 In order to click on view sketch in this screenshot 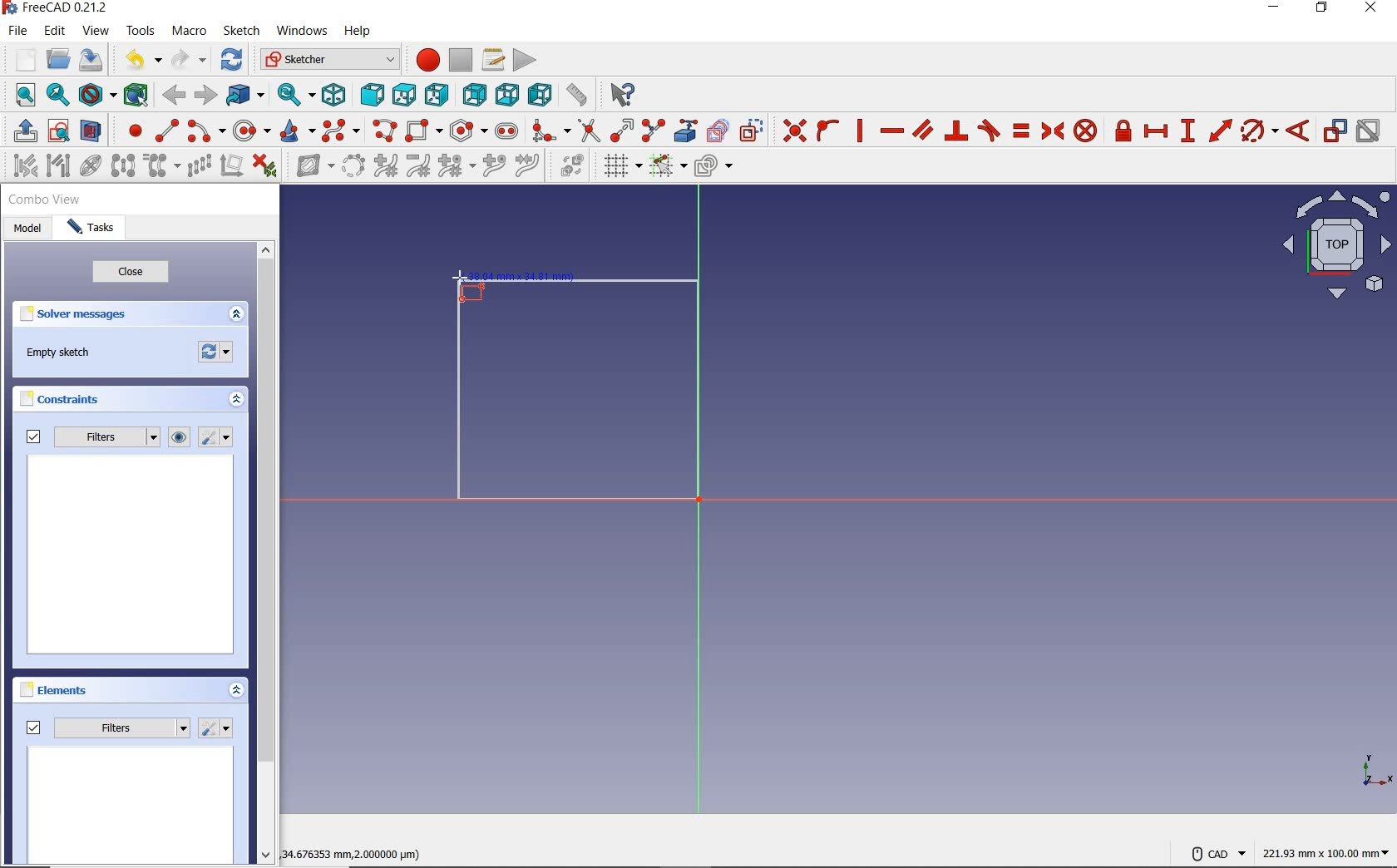, I will do `click(59, 131)`.